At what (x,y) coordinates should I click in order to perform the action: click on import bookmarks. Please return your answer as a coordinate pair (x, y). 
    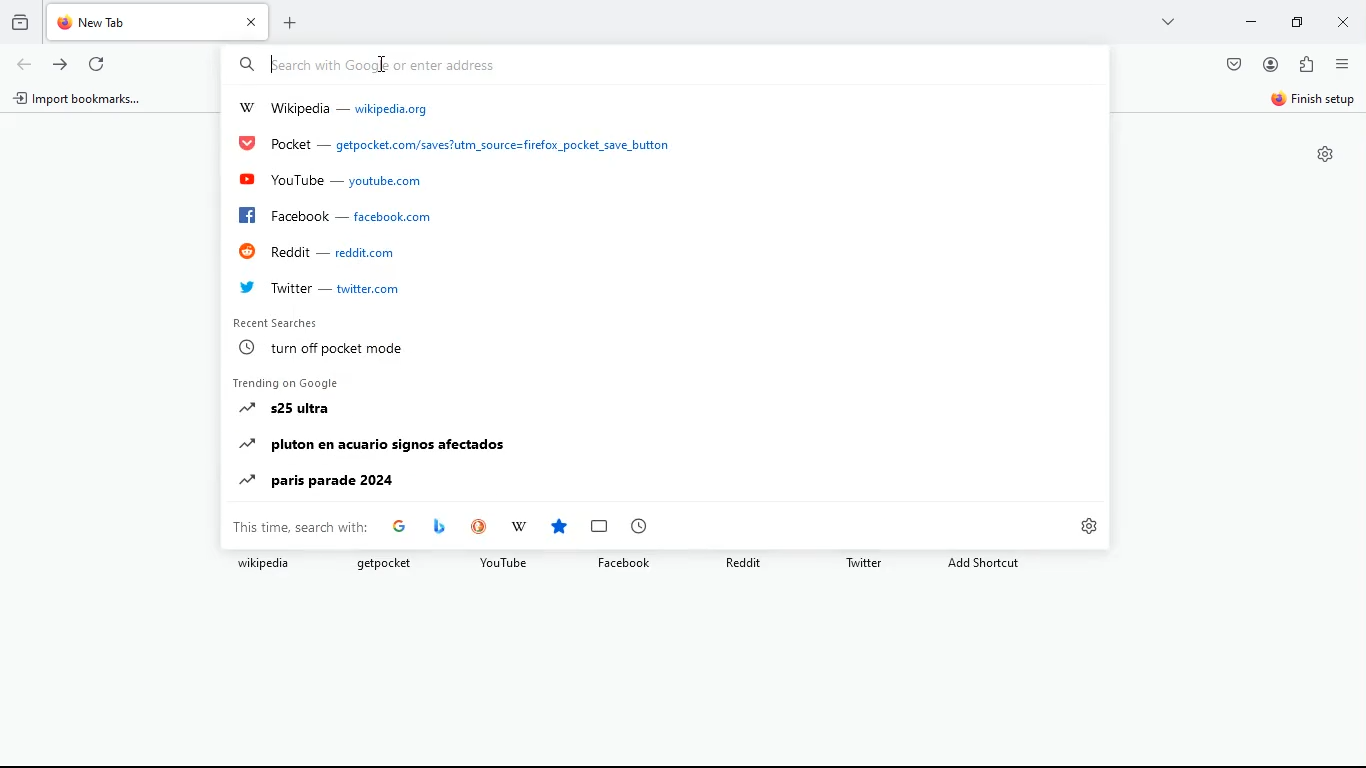
    Looking at the image, I should click on (80, 100).